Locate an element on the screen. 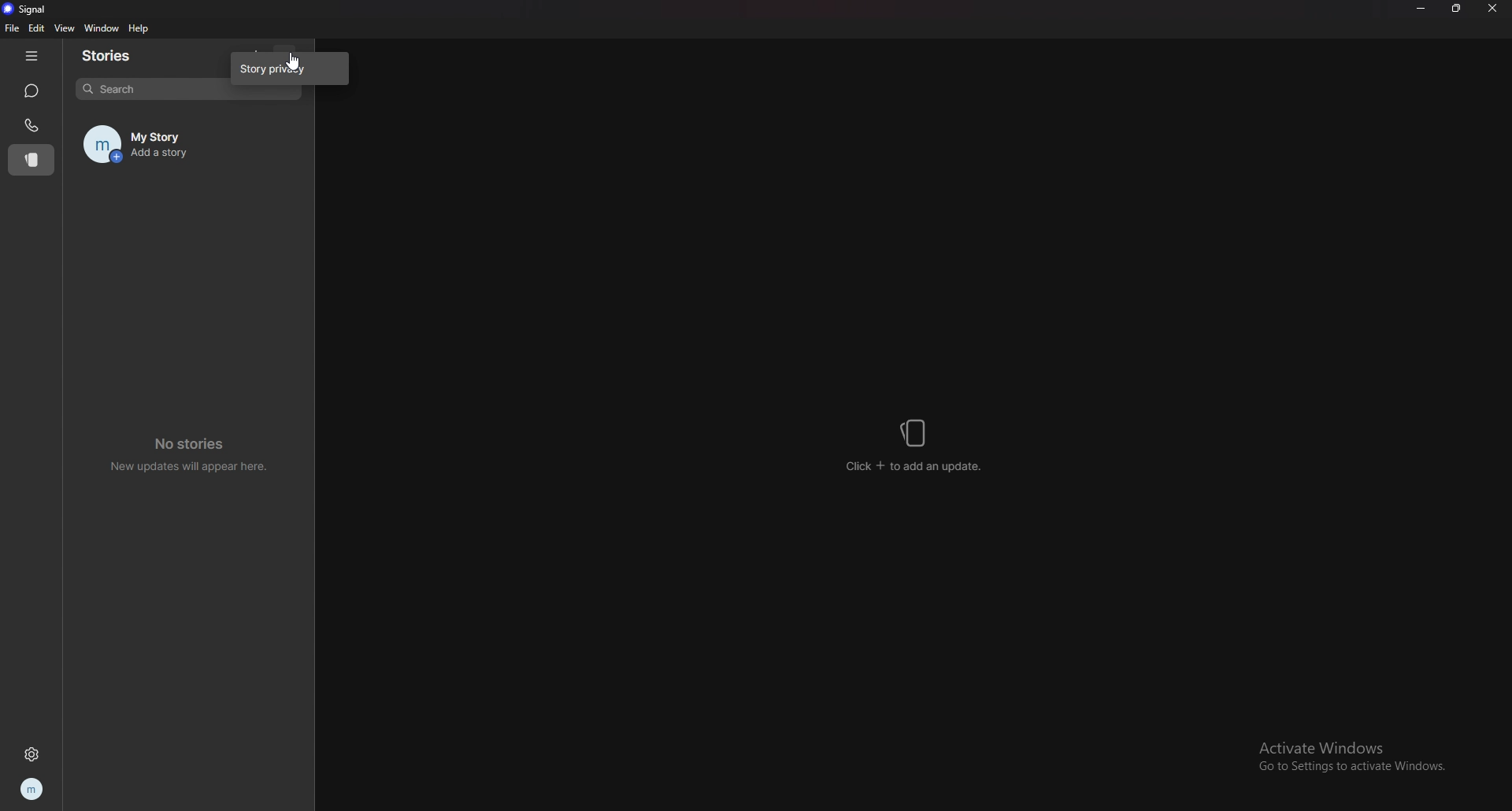 The image size is (1512, 811). stories is located at coordinates (33, 160).